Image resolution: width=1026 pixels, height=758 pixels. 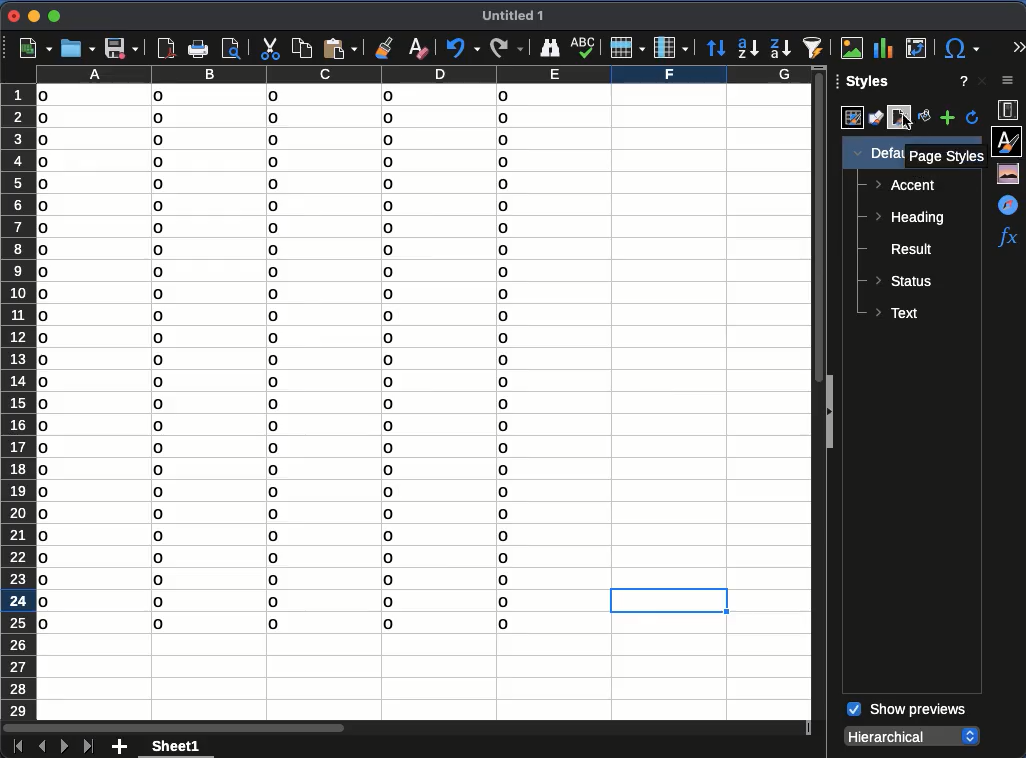 I want to click on cursor, so click(x=906, y=121).